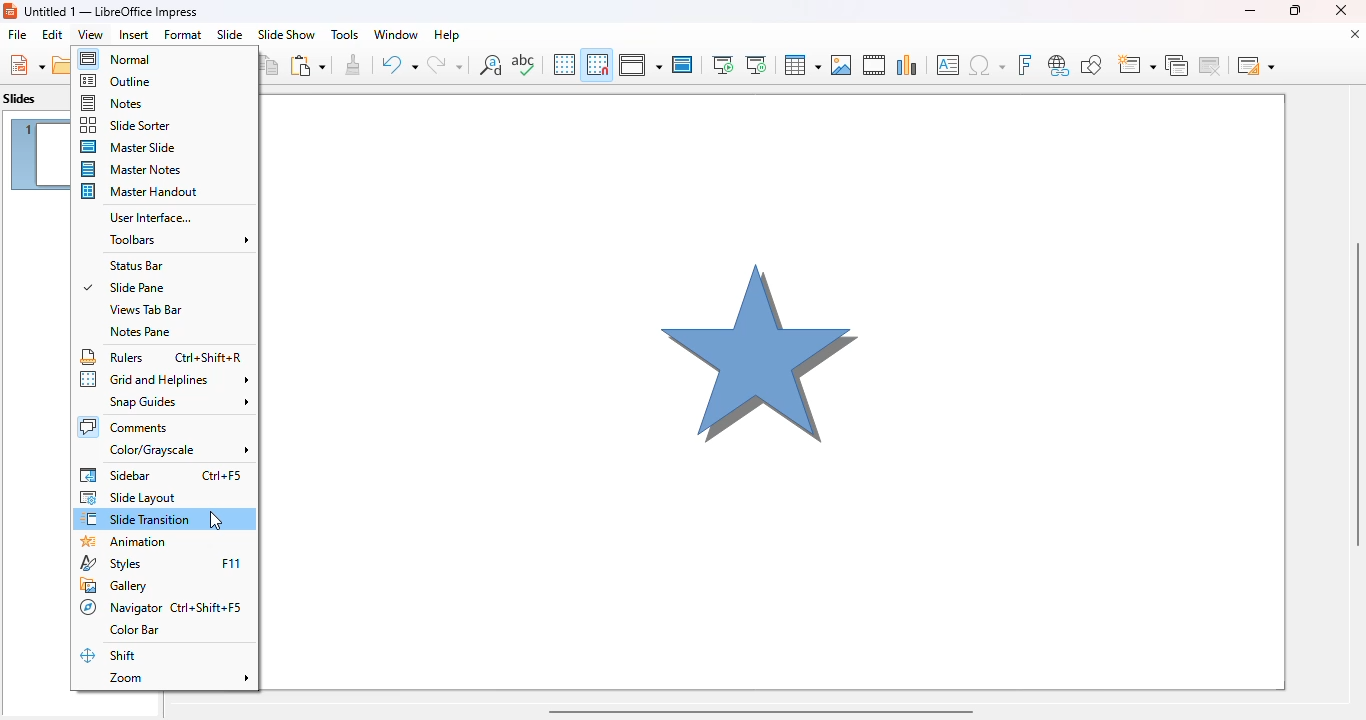  I want to click on clone formatting, so click(354, 64).